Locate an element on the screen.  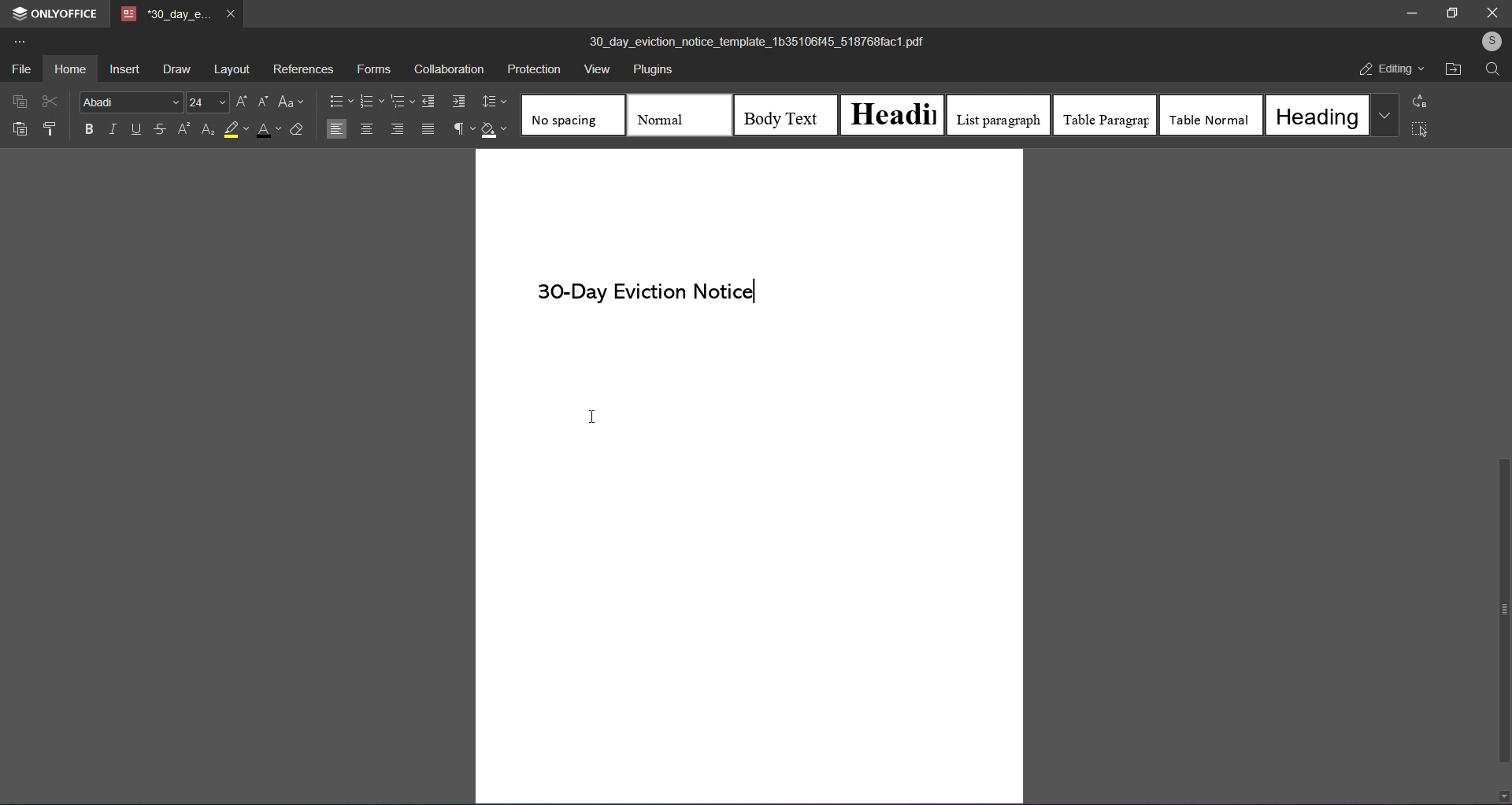
forms is located at coordinates (372, 69).